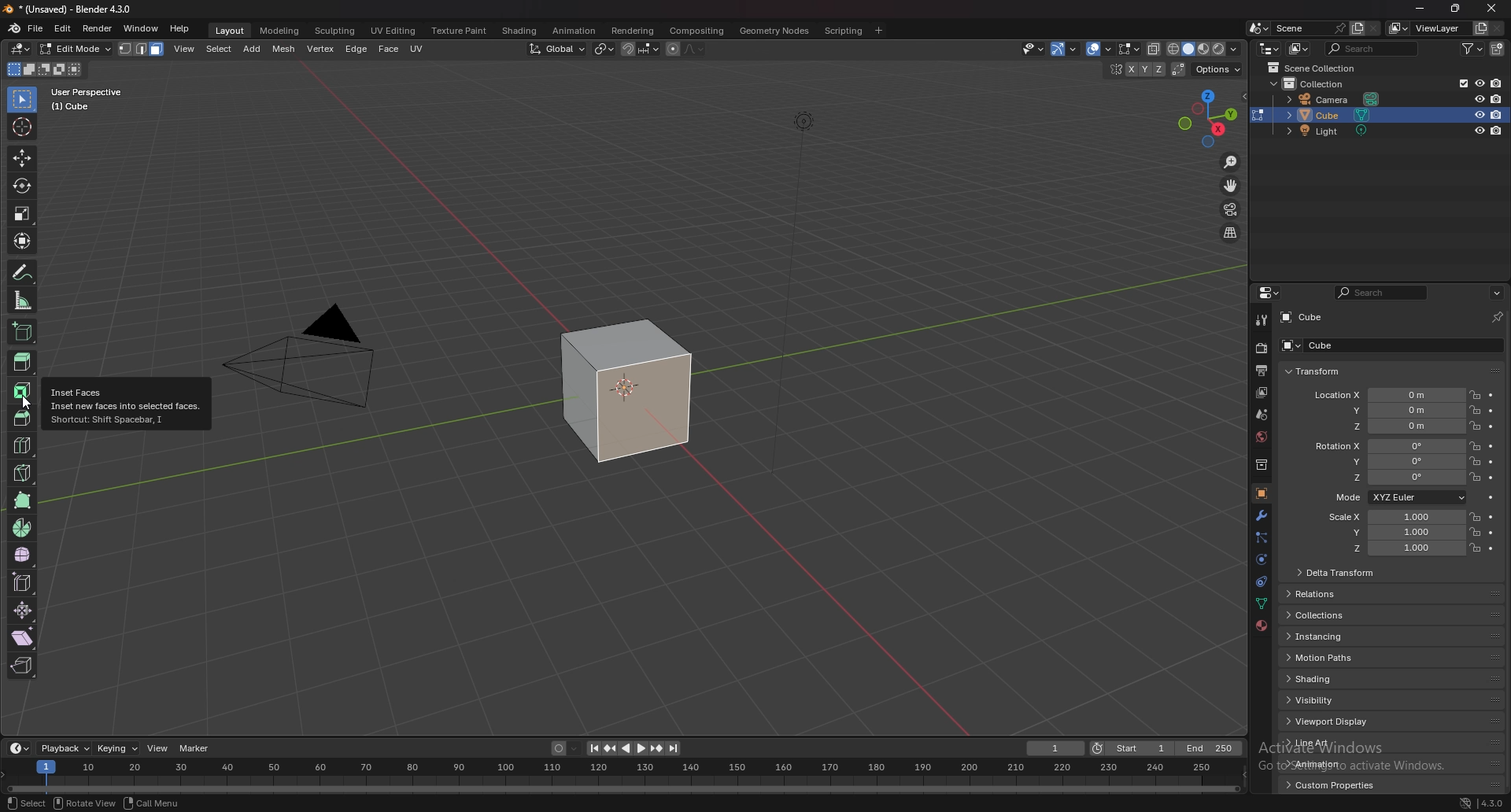 Image resolution: width=1511 pixels, height=812 pixels. Describe the element at coordinates (1372, 48) in the screenshot. I see `search` at that location.